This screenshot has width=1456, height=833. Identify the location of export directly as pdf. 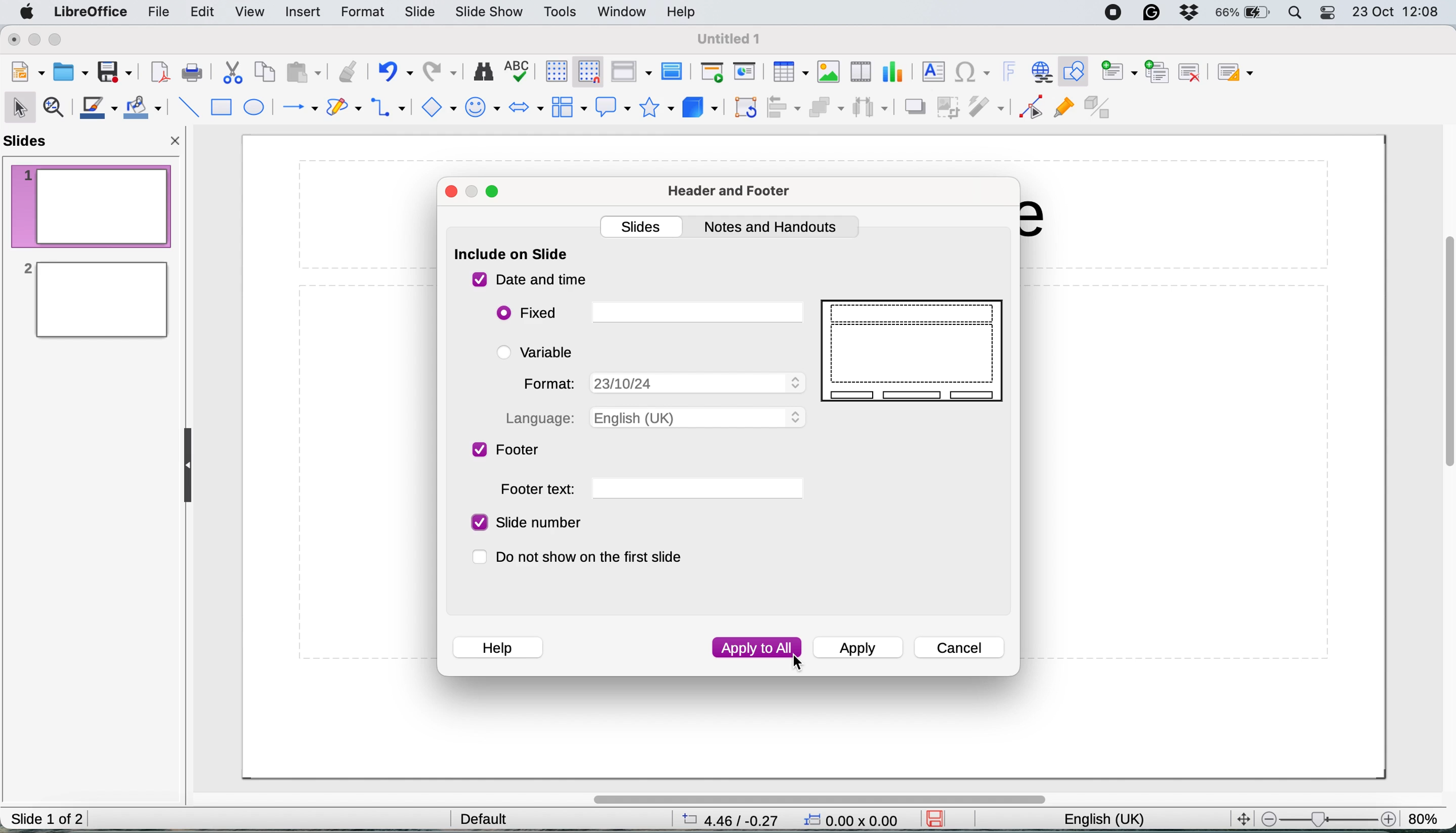
(160, 74).